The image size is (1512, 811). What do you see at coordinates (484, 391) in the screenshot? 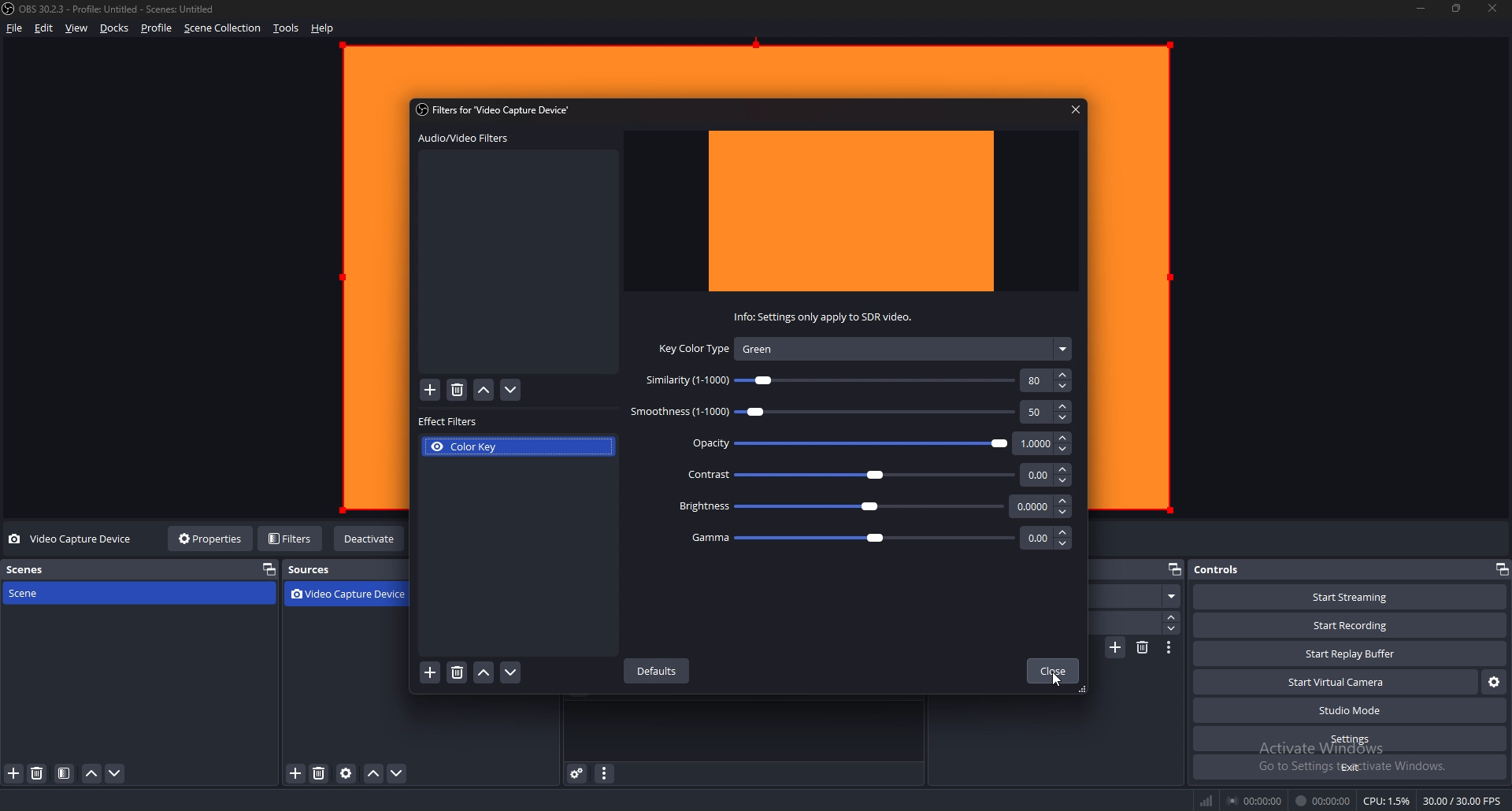
I see `move filter up` at bounding box center [484, 391].